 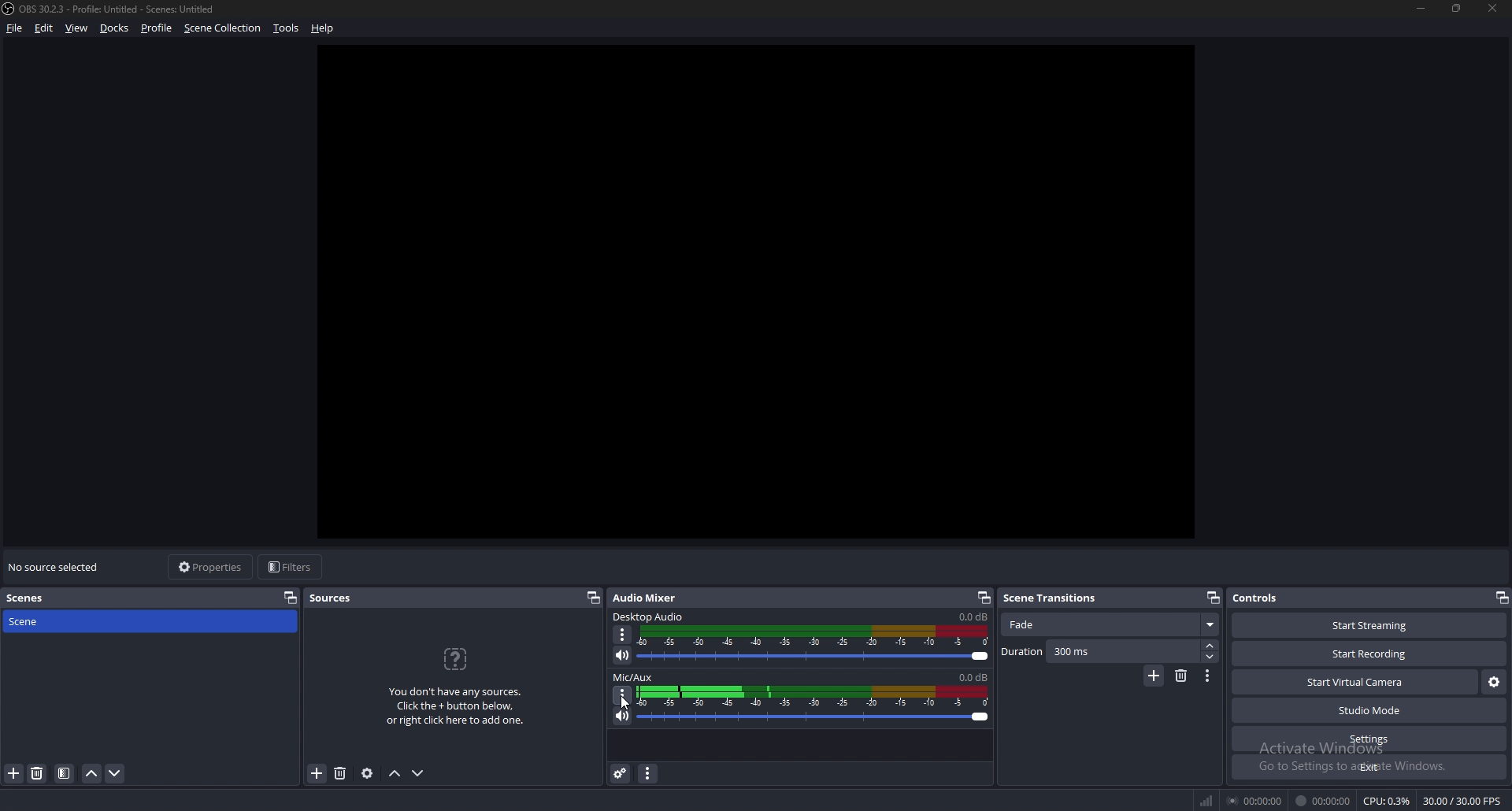 I want to click on exit, so click(x=1368, y=768).